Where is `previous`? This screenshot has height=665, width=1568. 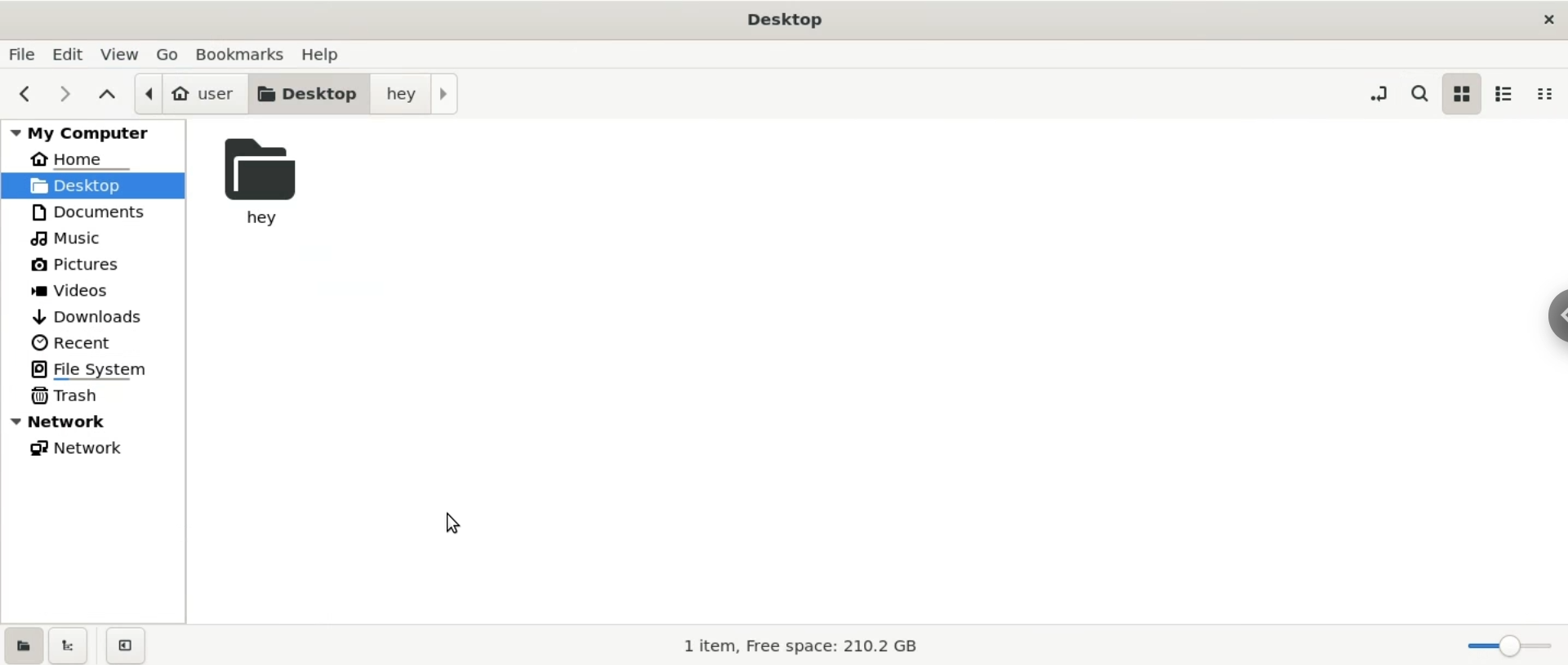
previous is located at coordinates (25, 91).